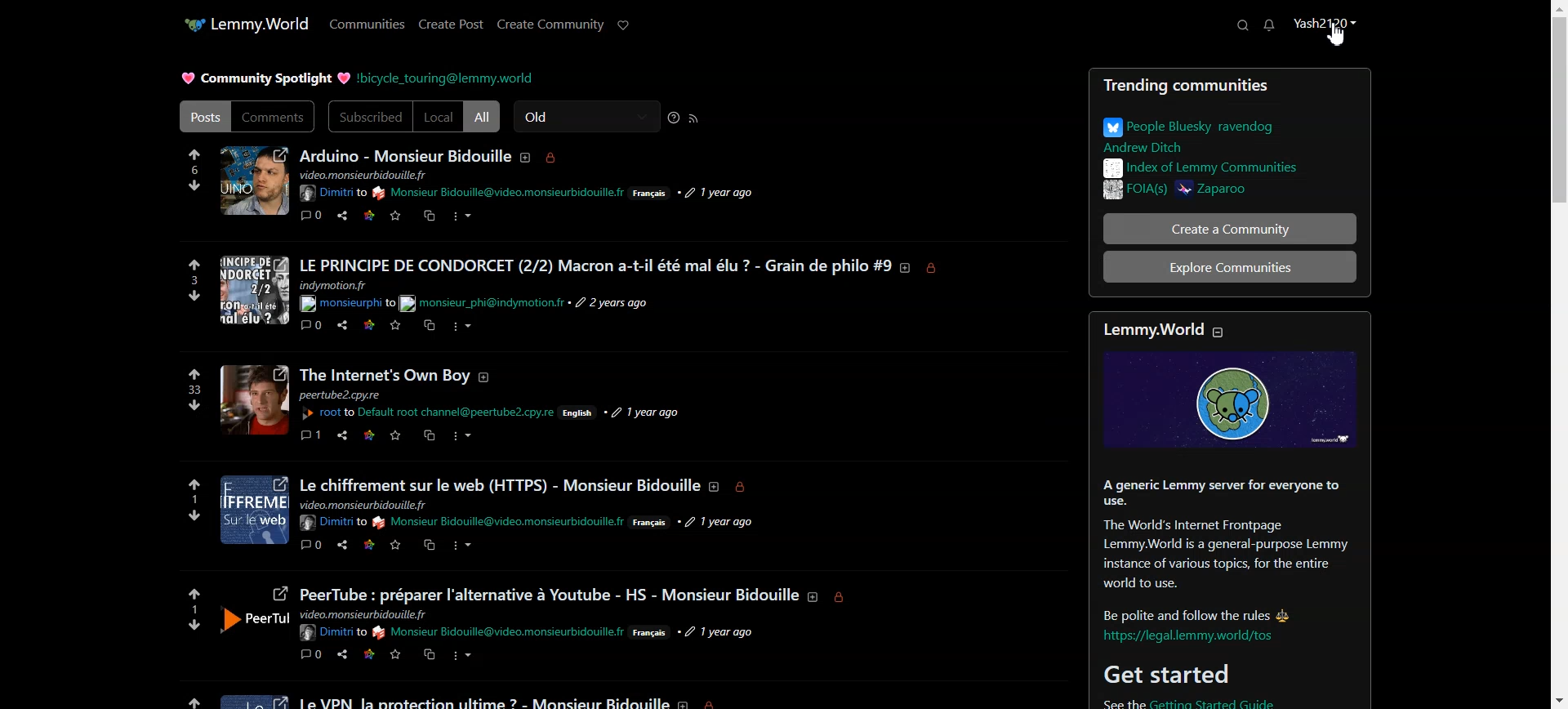 The width and height of the screenshot is (1568, 709). What do you see at coordinates (194, 608) in the screenshot?
I see `1` at bounding box center [194, 608].